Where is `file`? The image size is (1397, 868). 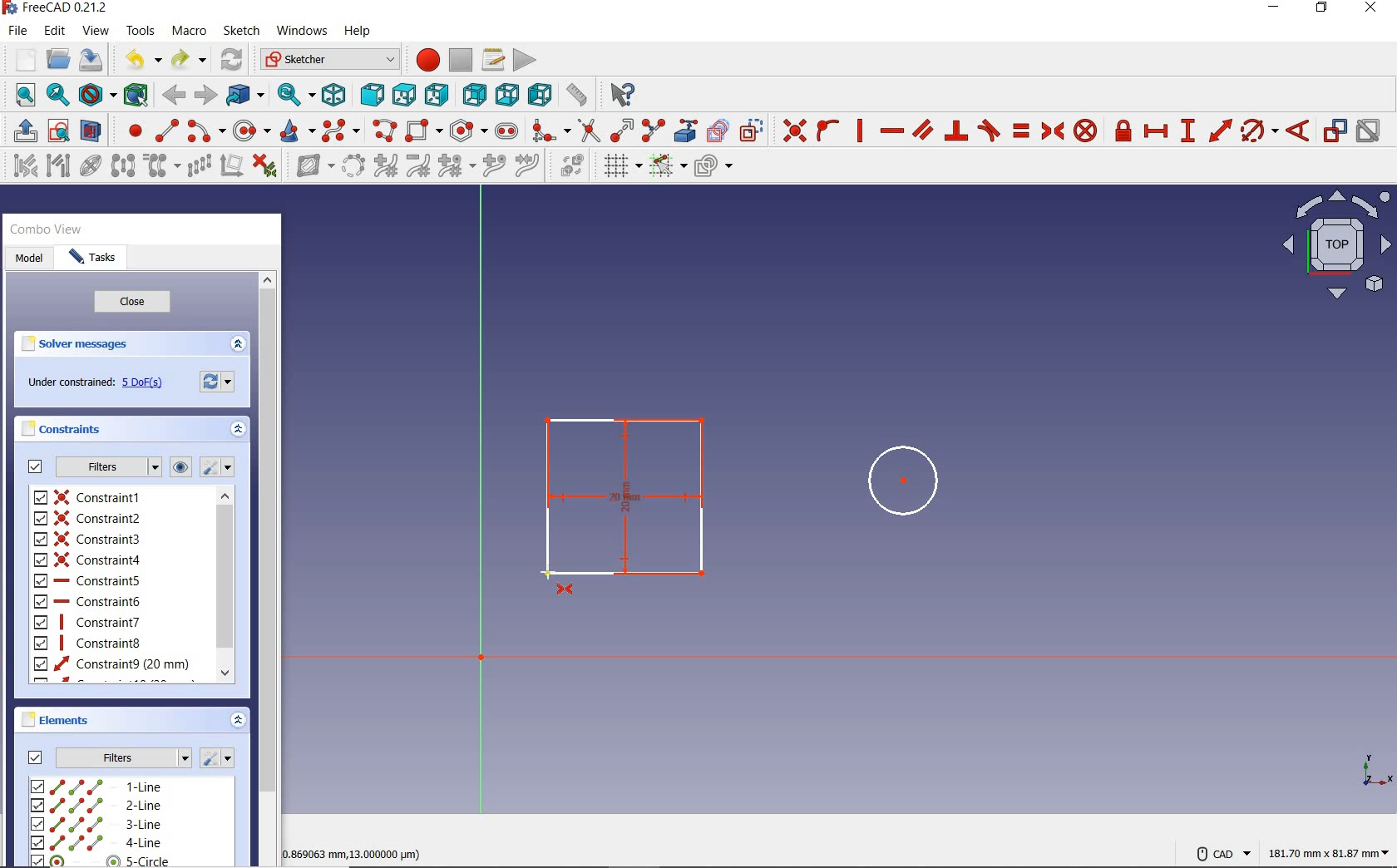 file is located at coordinates (17, 31).